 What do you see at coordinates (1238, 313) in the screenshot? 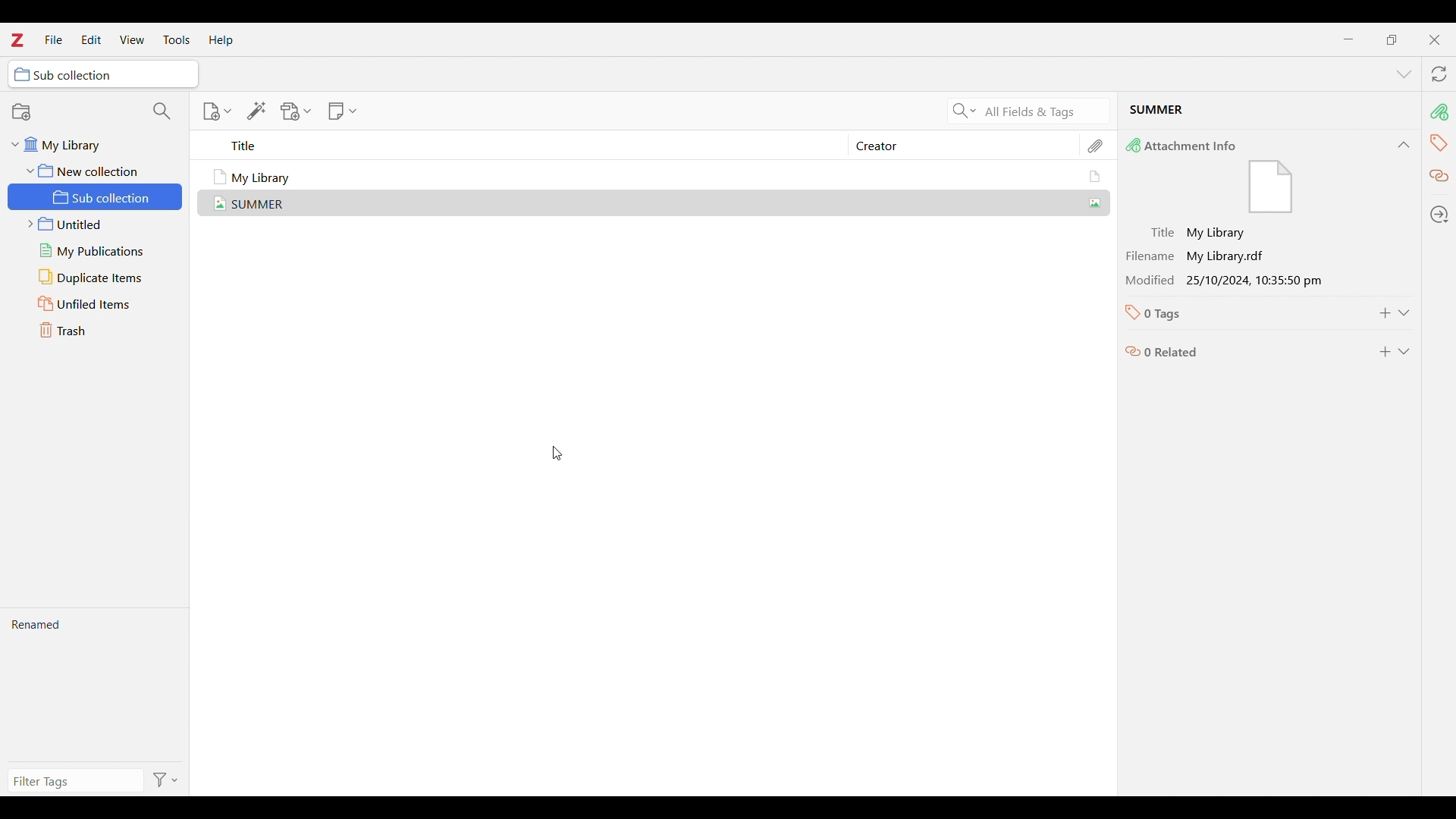
I see `0 Tags` at bounding box center [1238, 313].